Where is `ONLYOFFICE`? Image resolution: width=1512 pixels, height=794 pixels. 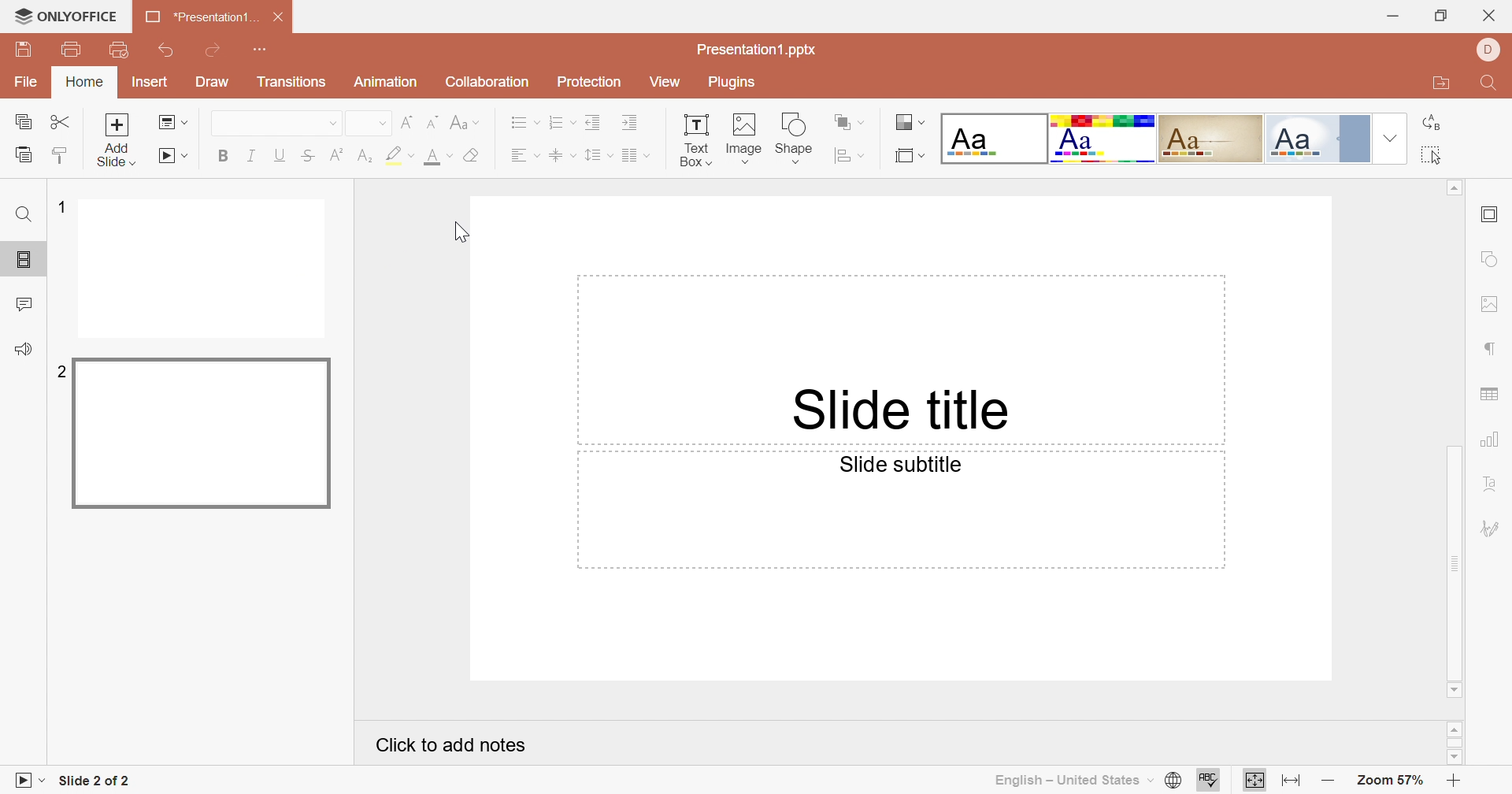 ONLYOFFICE is located at coordinates (65, 14).